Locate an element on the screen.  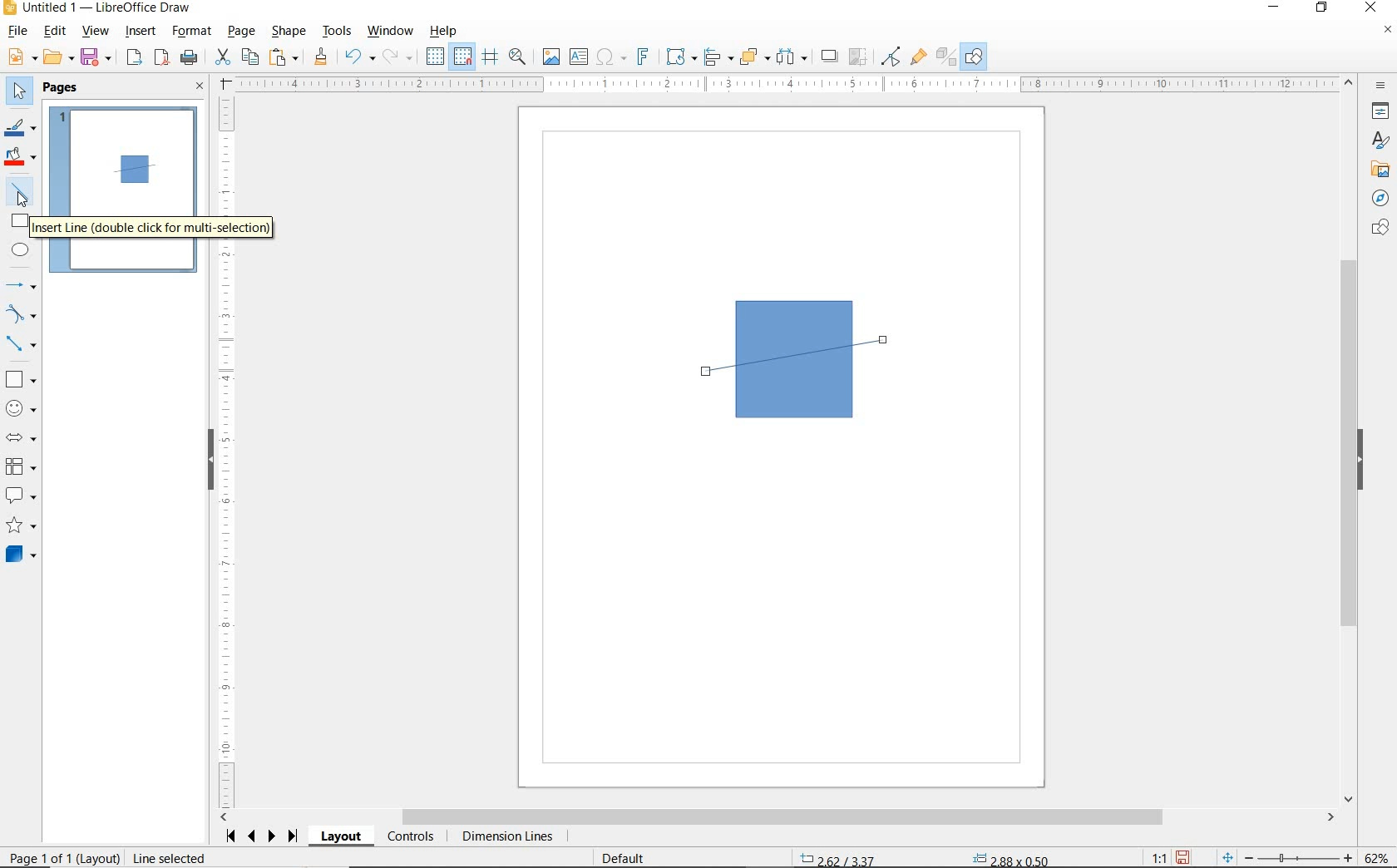
DIMENSION LINES is located at coordinates (506, 837).